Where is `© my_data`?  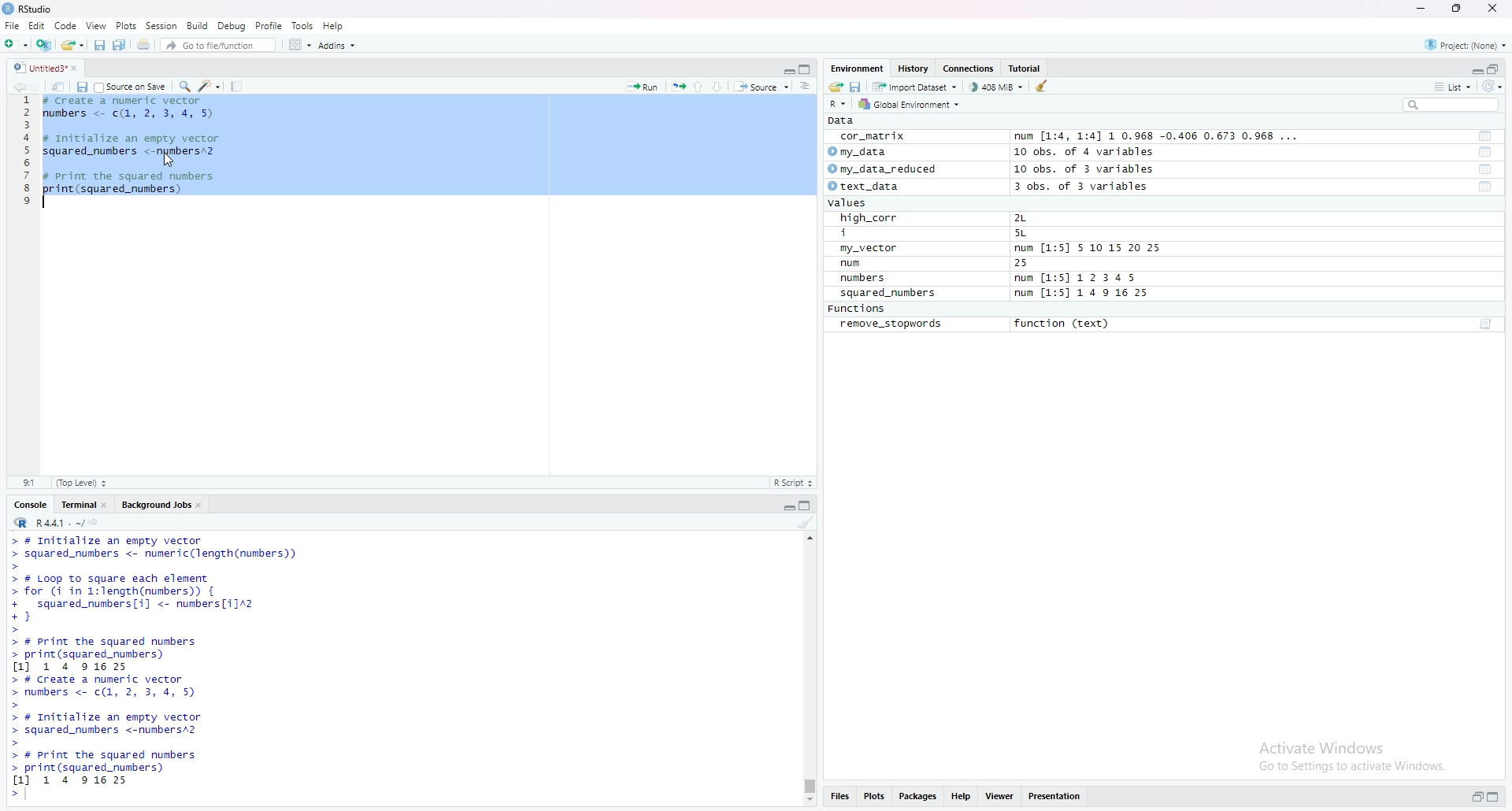
© my_data is located at coordinates (859, 152).